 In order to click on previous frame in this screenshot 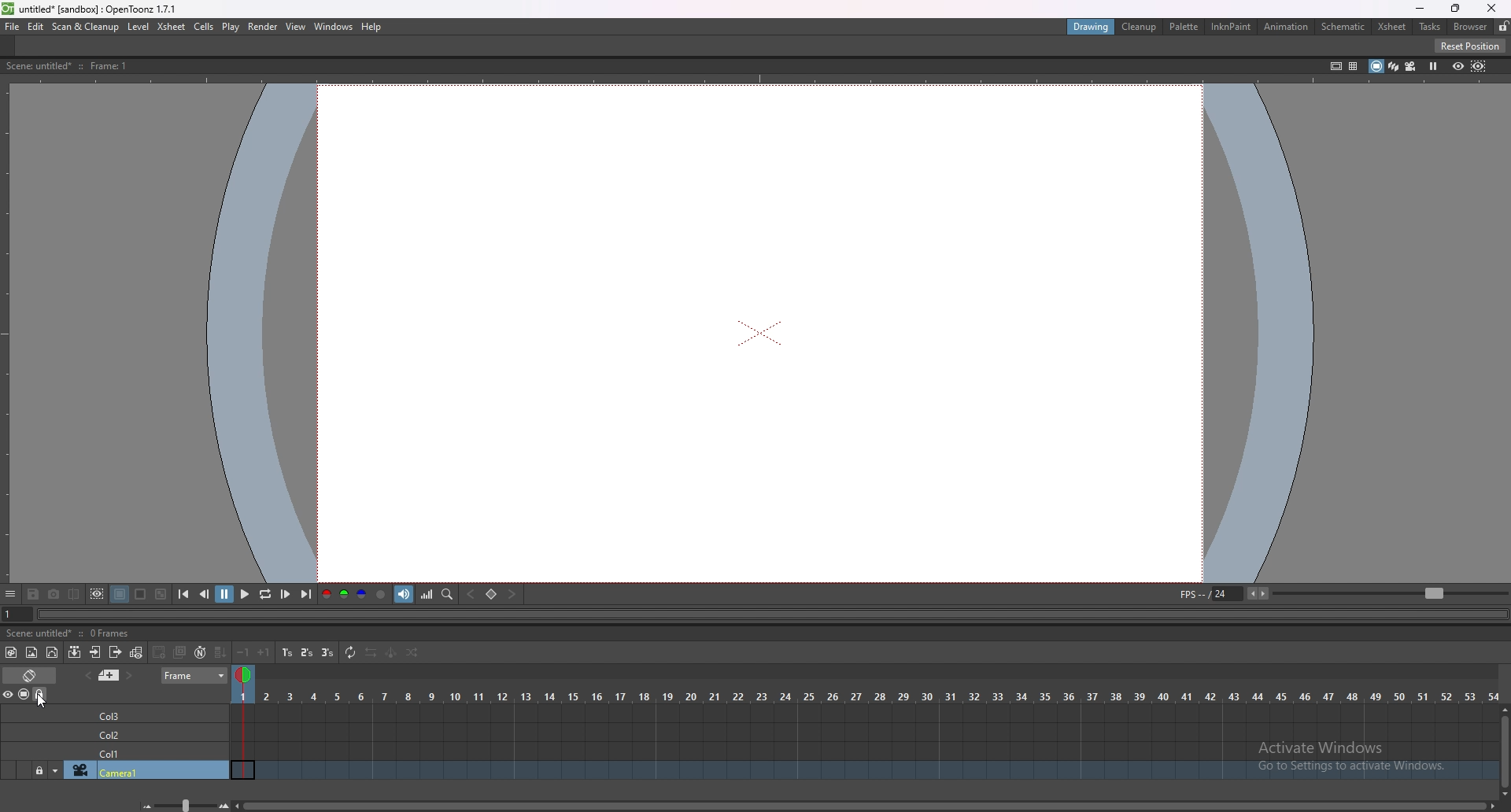, I will do `click(205, 594)`.